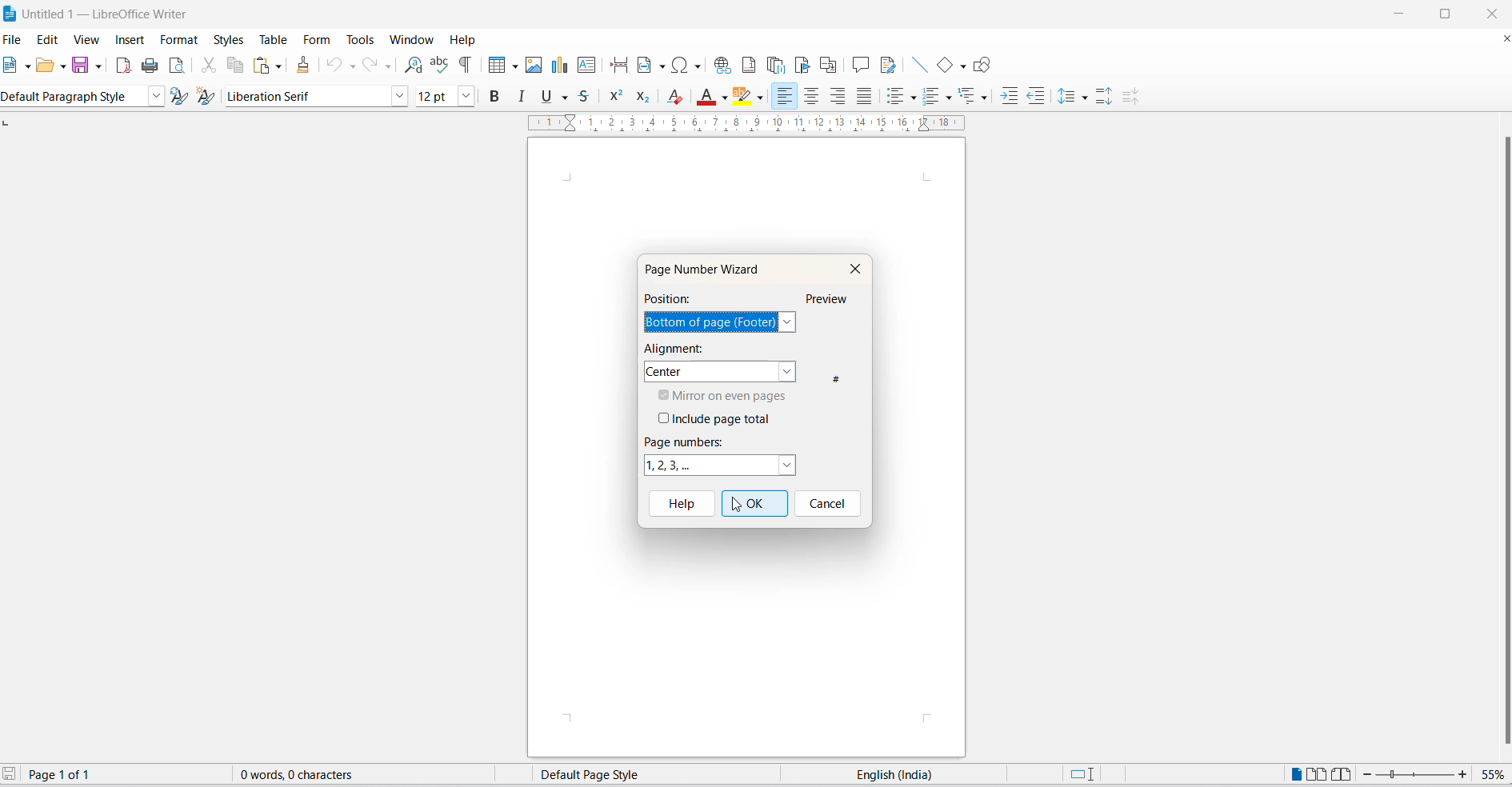 This screenshot has width=1512, height=787. What do you see at coordinates (388, 66) in the screenshot?
I see `redo options` at bounding box center [388, 66].